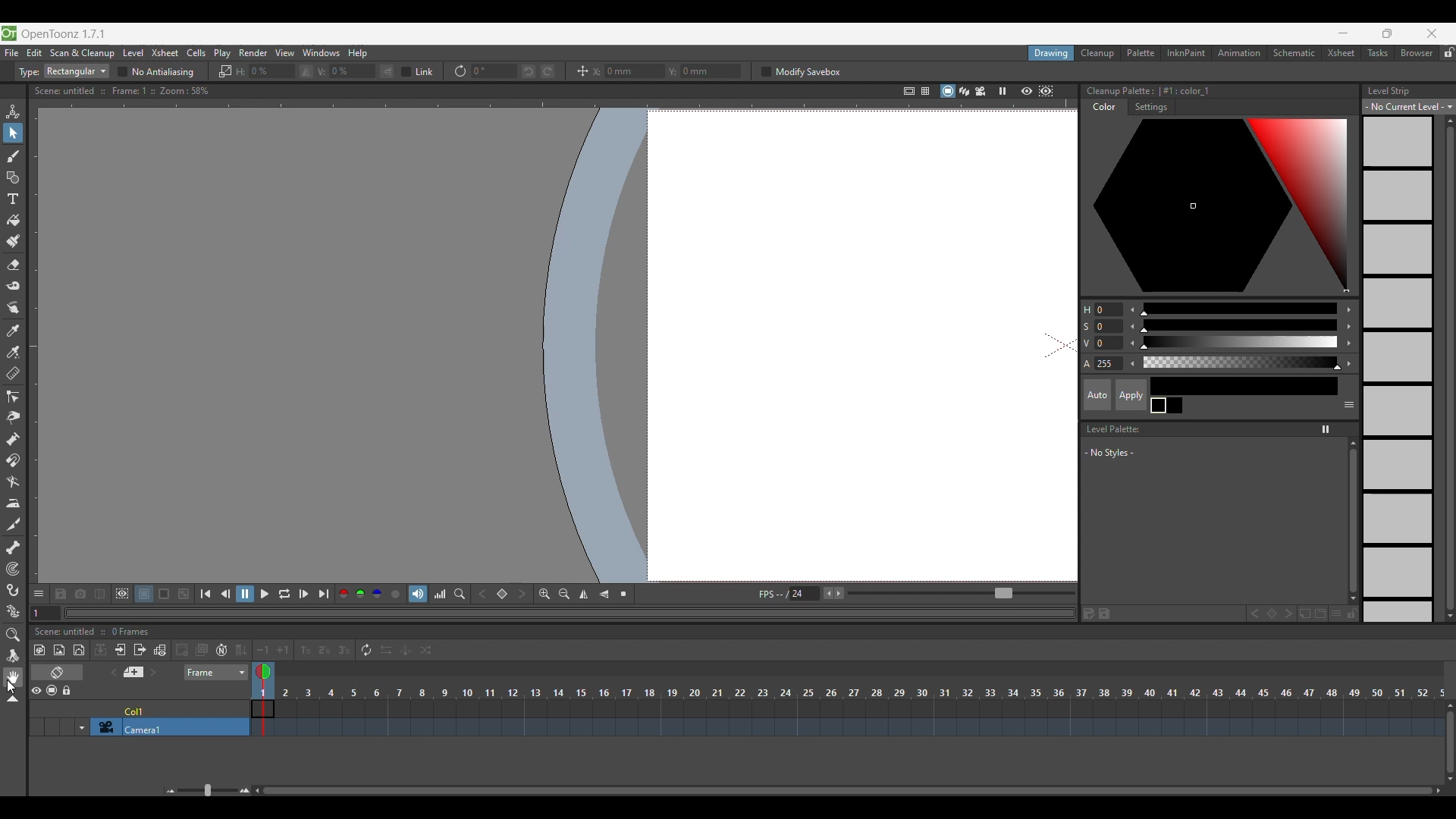 This screenshot has height=819, width=1456. I want to click on Rotation, so click(460, 71).